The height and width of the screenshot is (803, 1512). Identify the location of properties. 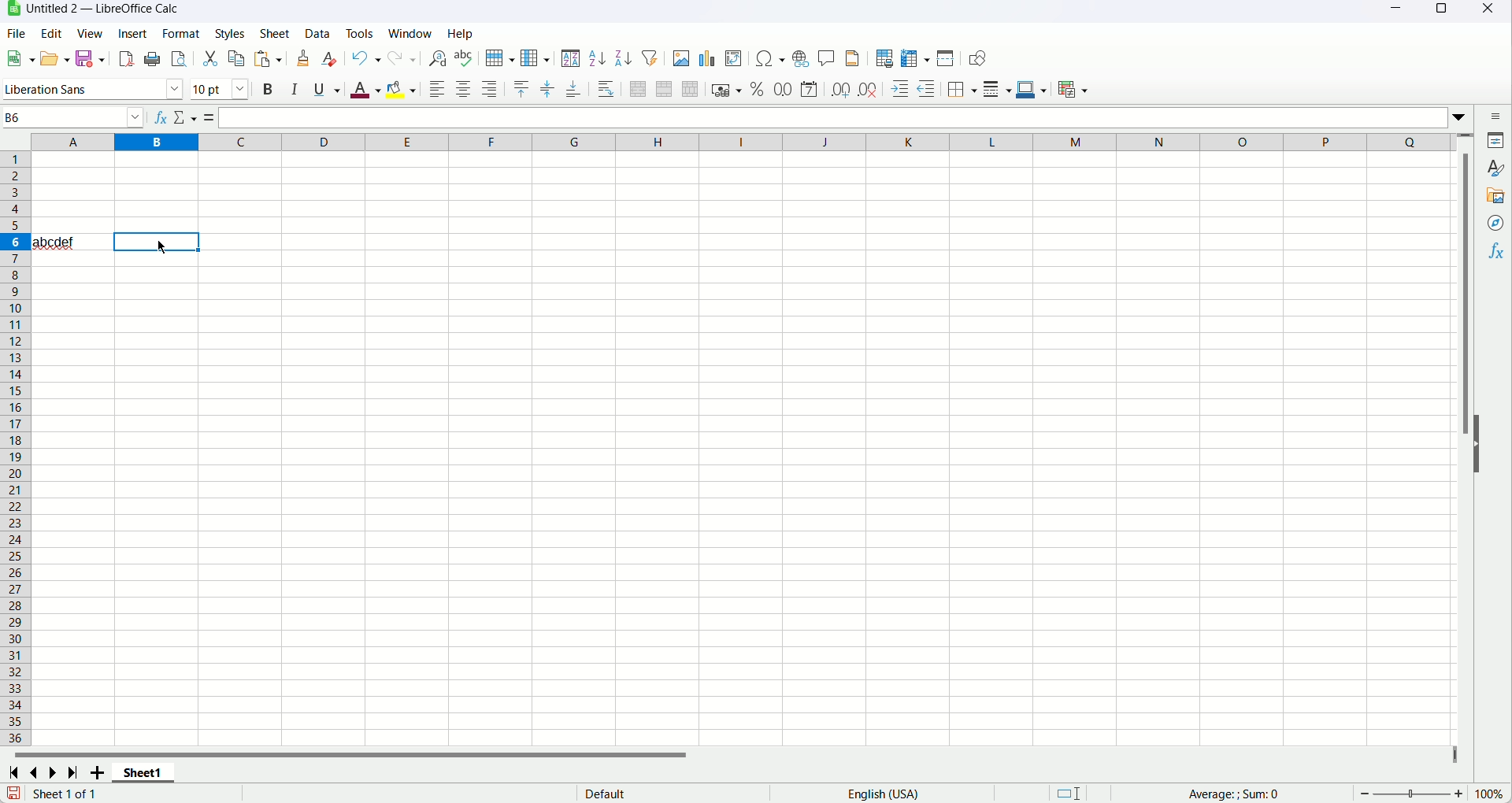
(1496, 142).